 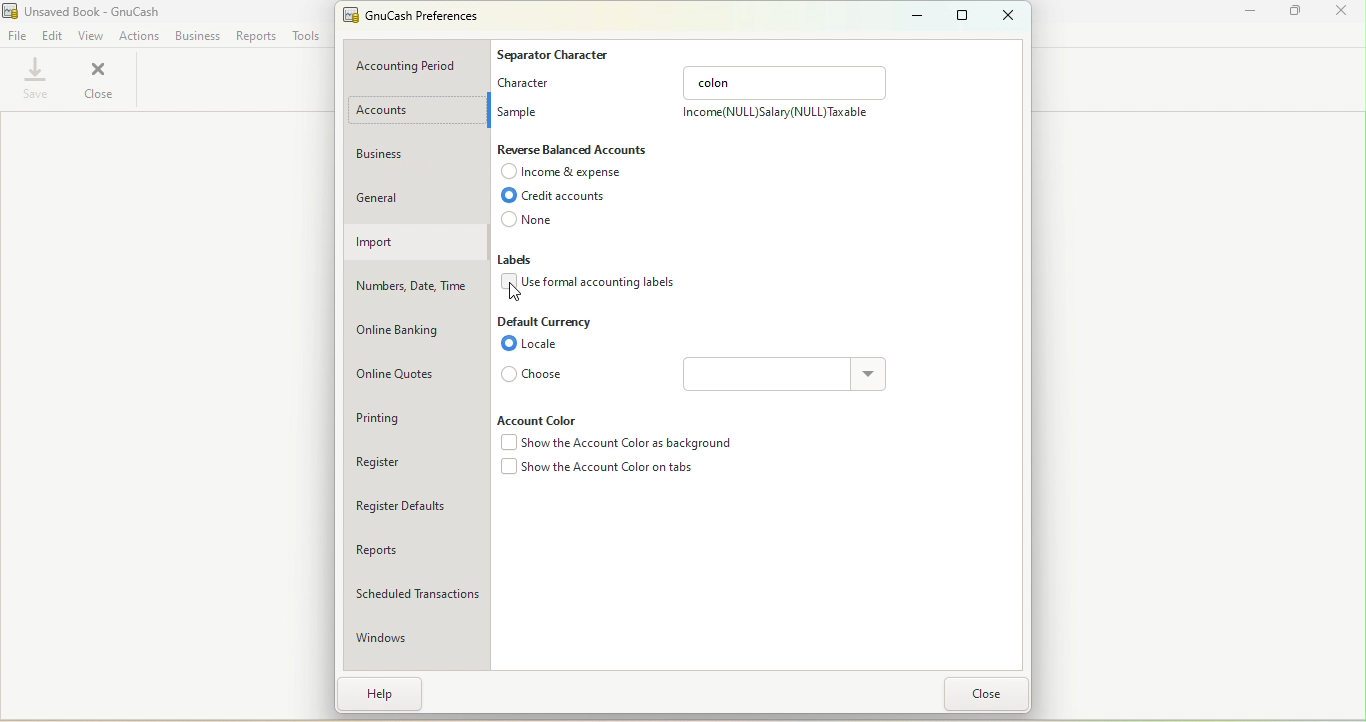 I want to click on Character, so click(x=529, y=82).